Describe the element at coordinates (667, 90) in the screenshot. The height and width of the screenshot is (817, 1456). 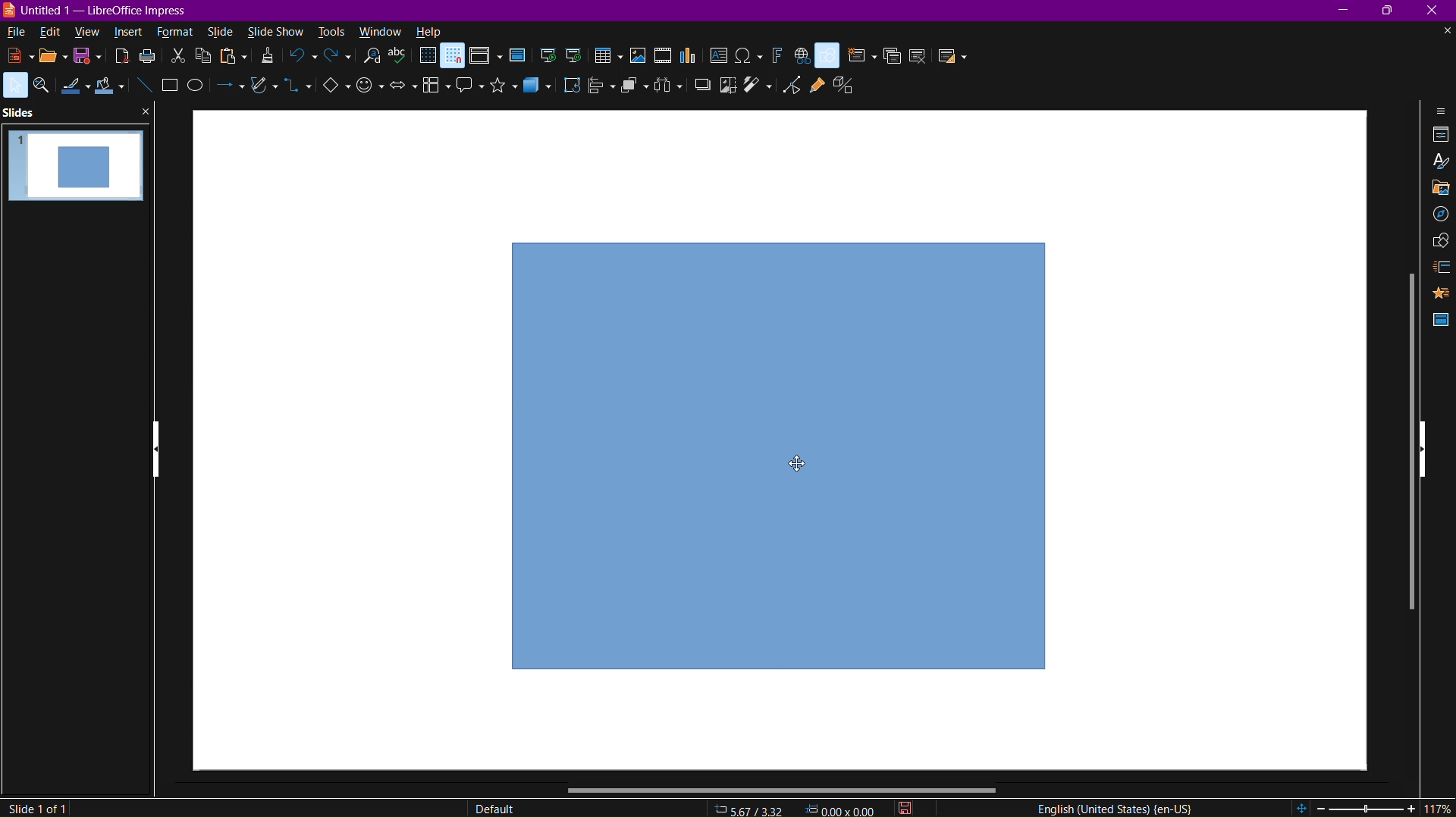
I see `Select at least three objects to distribute` at that location.